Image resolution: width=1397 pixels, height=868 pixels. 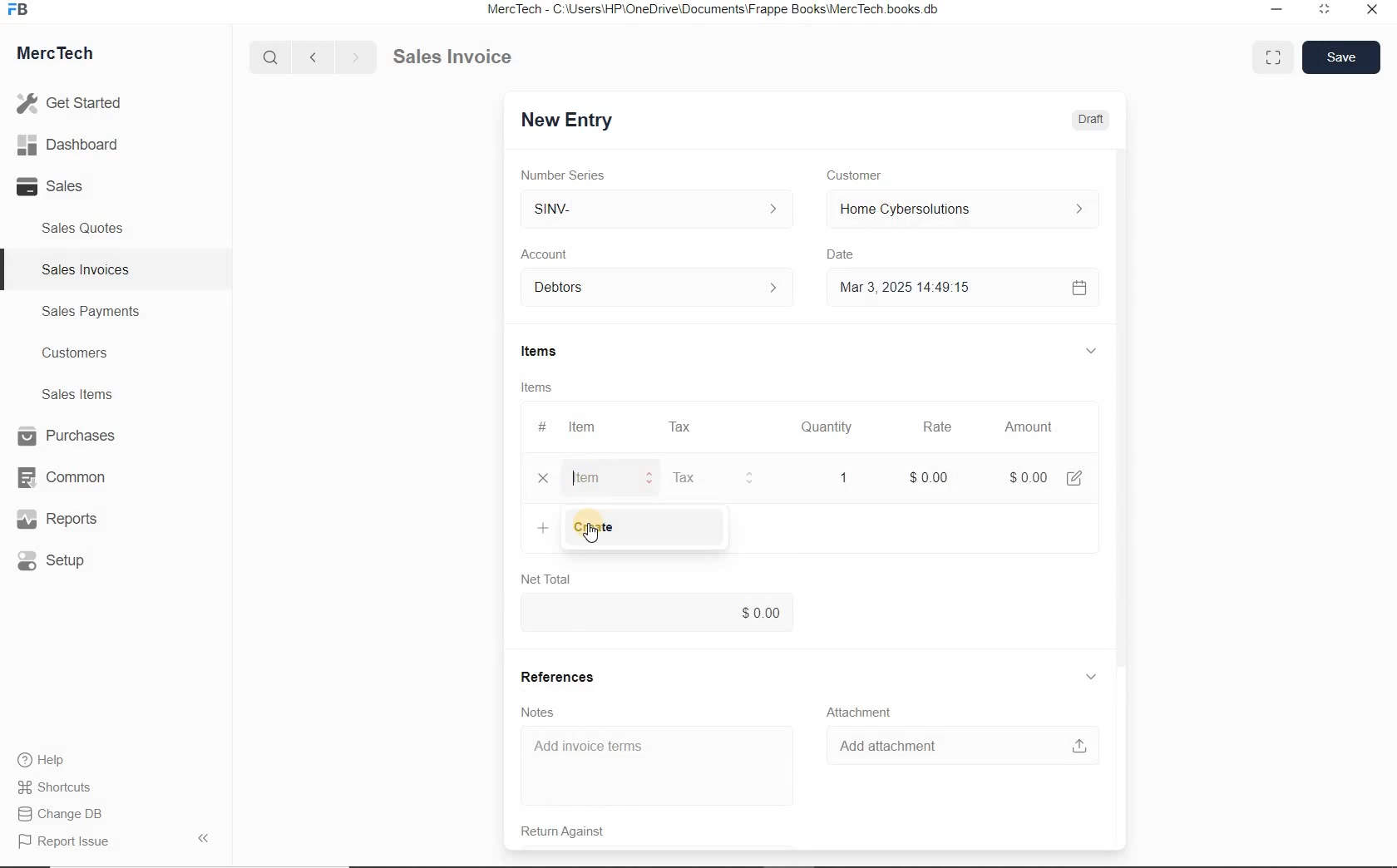 I want to click on Sales, so click(x=75, y=186).